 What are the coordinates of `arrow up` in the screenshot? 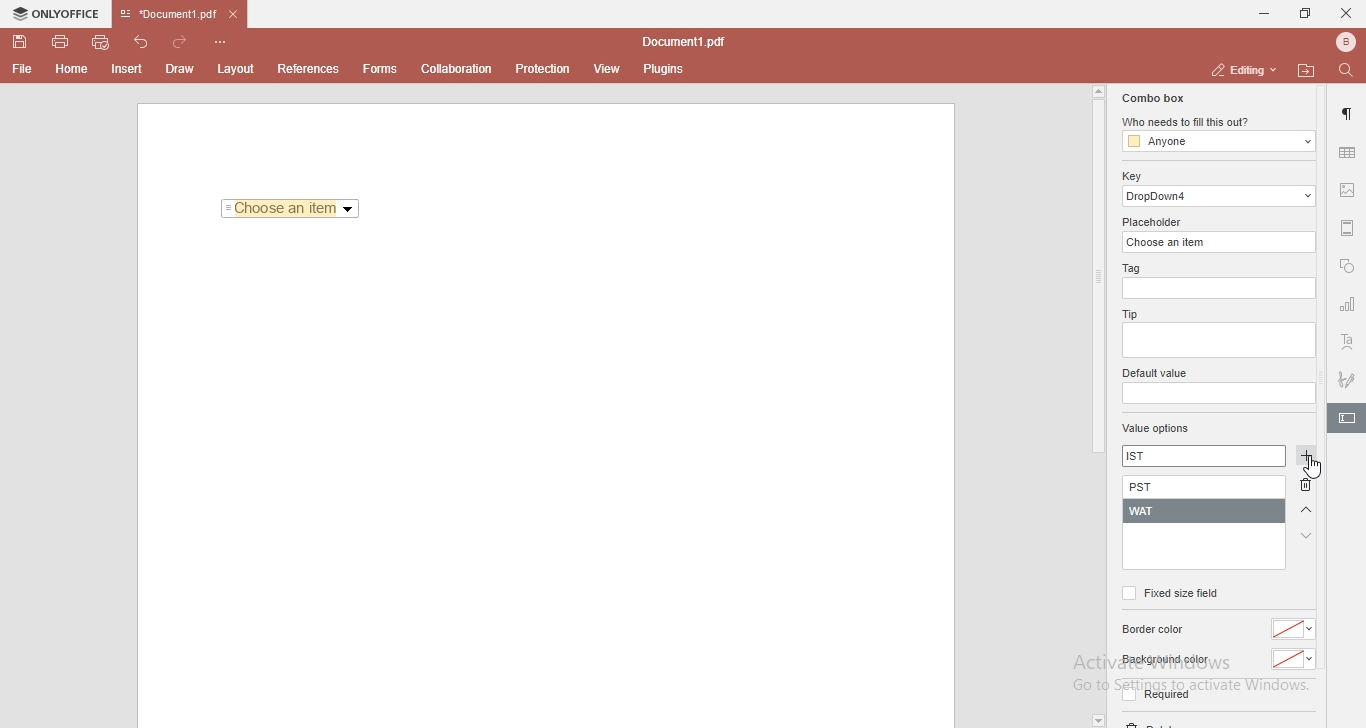 It's located at (1307, 511).